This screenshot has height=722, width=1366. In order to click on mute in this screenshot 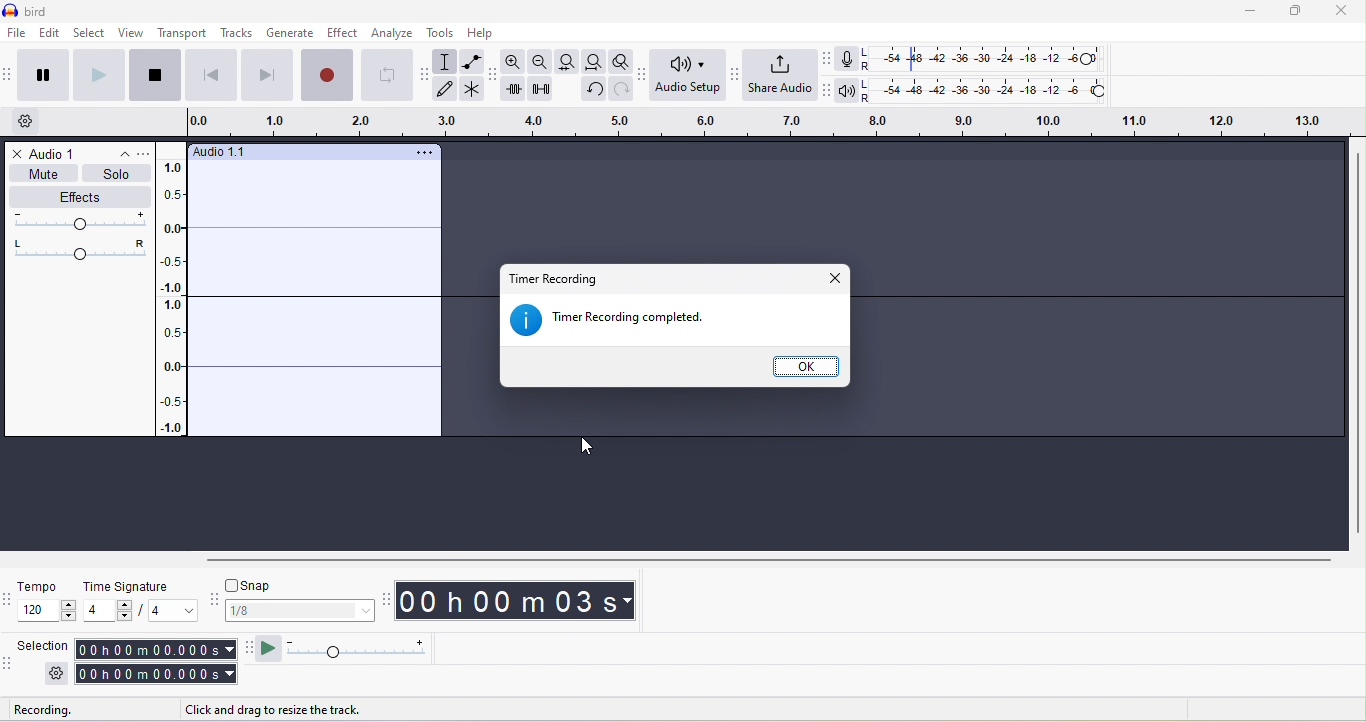, I will do `click(43, 176)`.